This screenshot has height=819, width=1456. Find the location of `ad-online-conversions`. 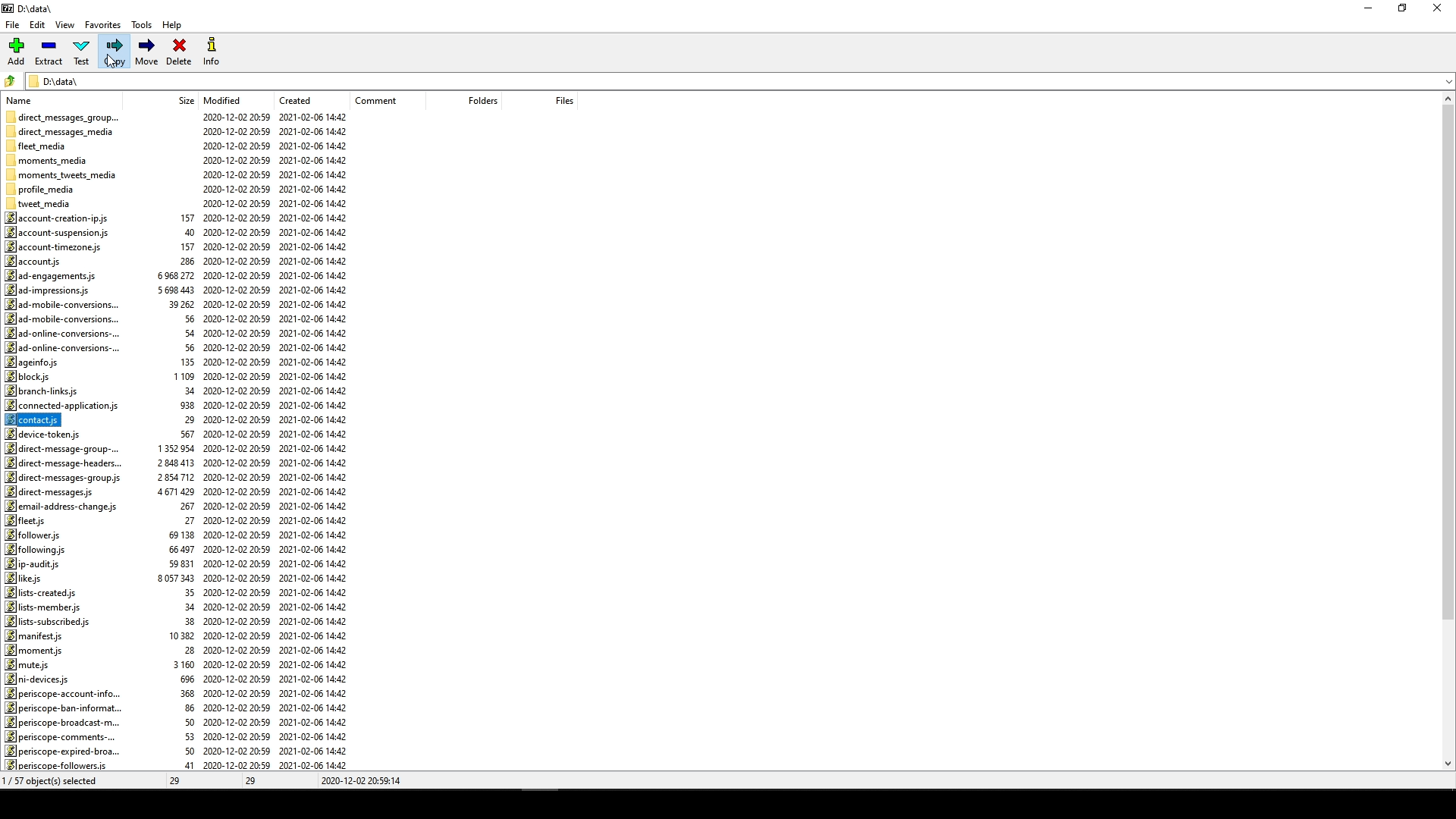

ad-online-conversions is located at coordinates (61, 347).